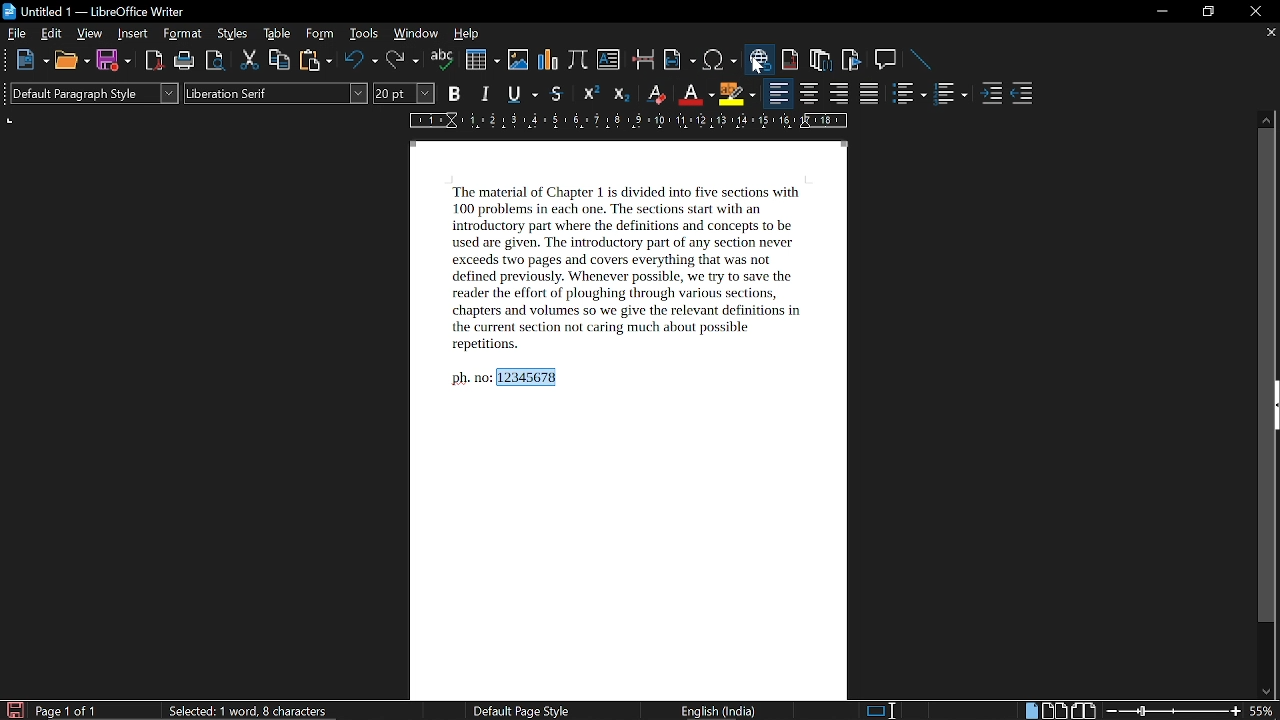 The height and width of the screenshot is (720, 1280). Describe the element at coordinates (880, 709) in the screenshot. I see `standard selection` at that location.